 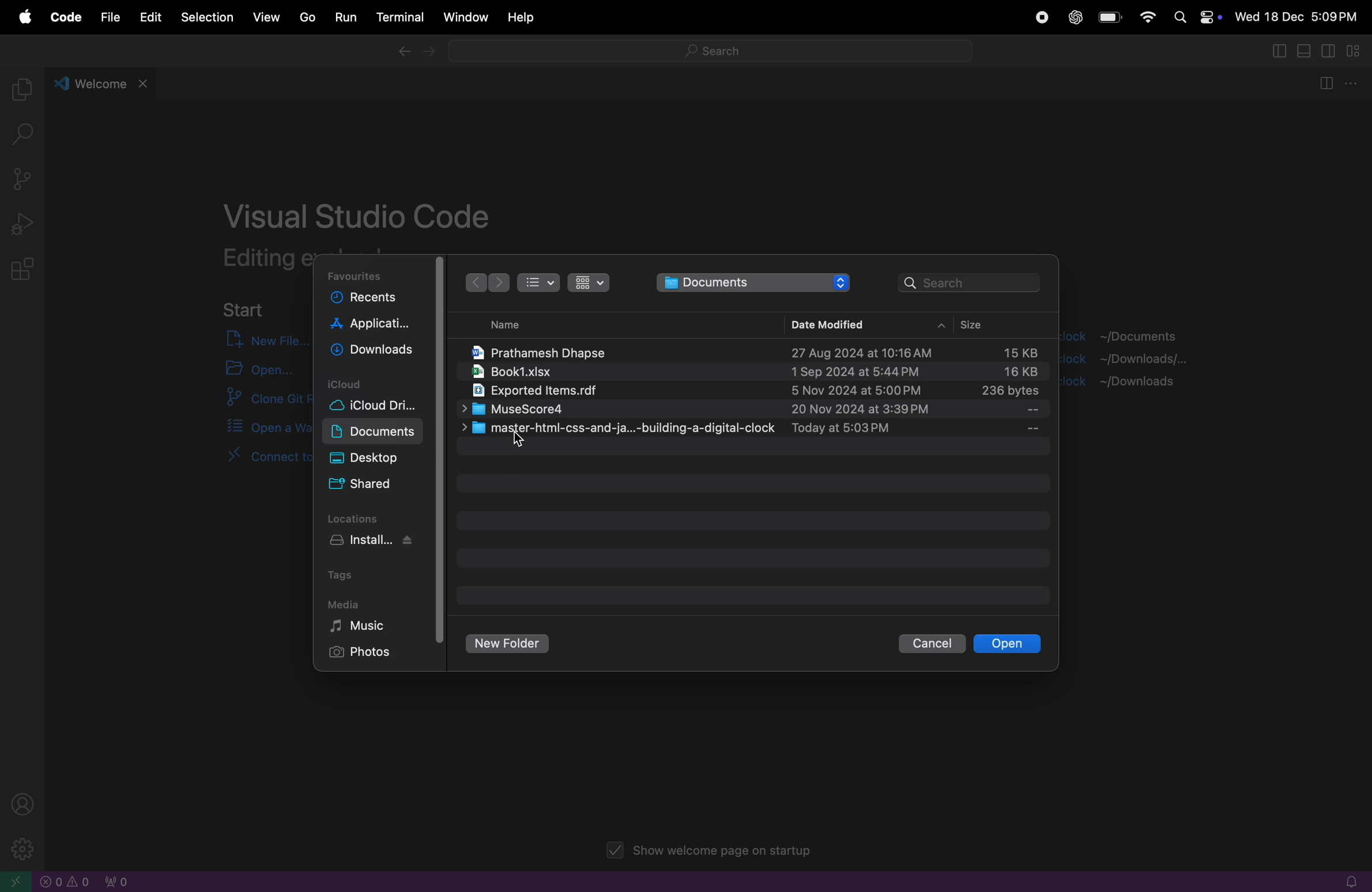 I want to click on search bar, so click(x=708, y=54).